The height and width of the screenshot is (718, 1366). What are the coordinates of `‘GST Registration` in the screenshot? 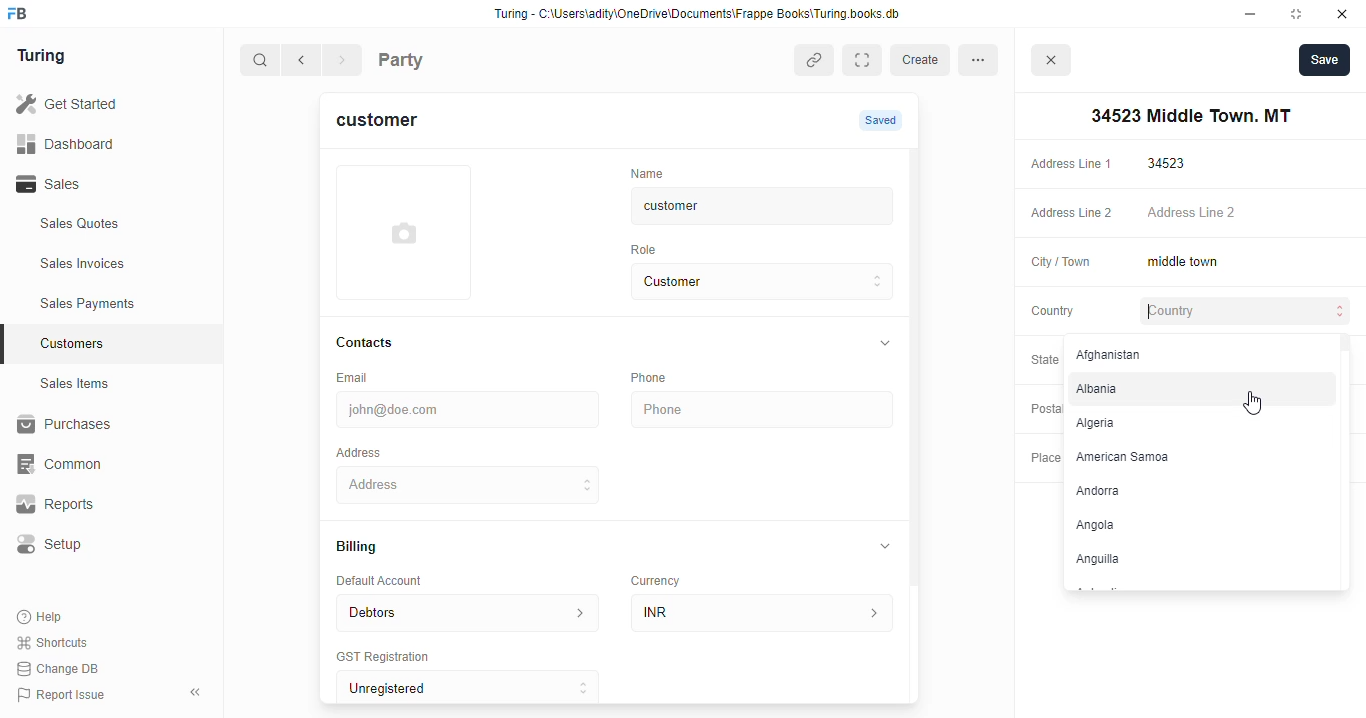 It's located at (390, 658).